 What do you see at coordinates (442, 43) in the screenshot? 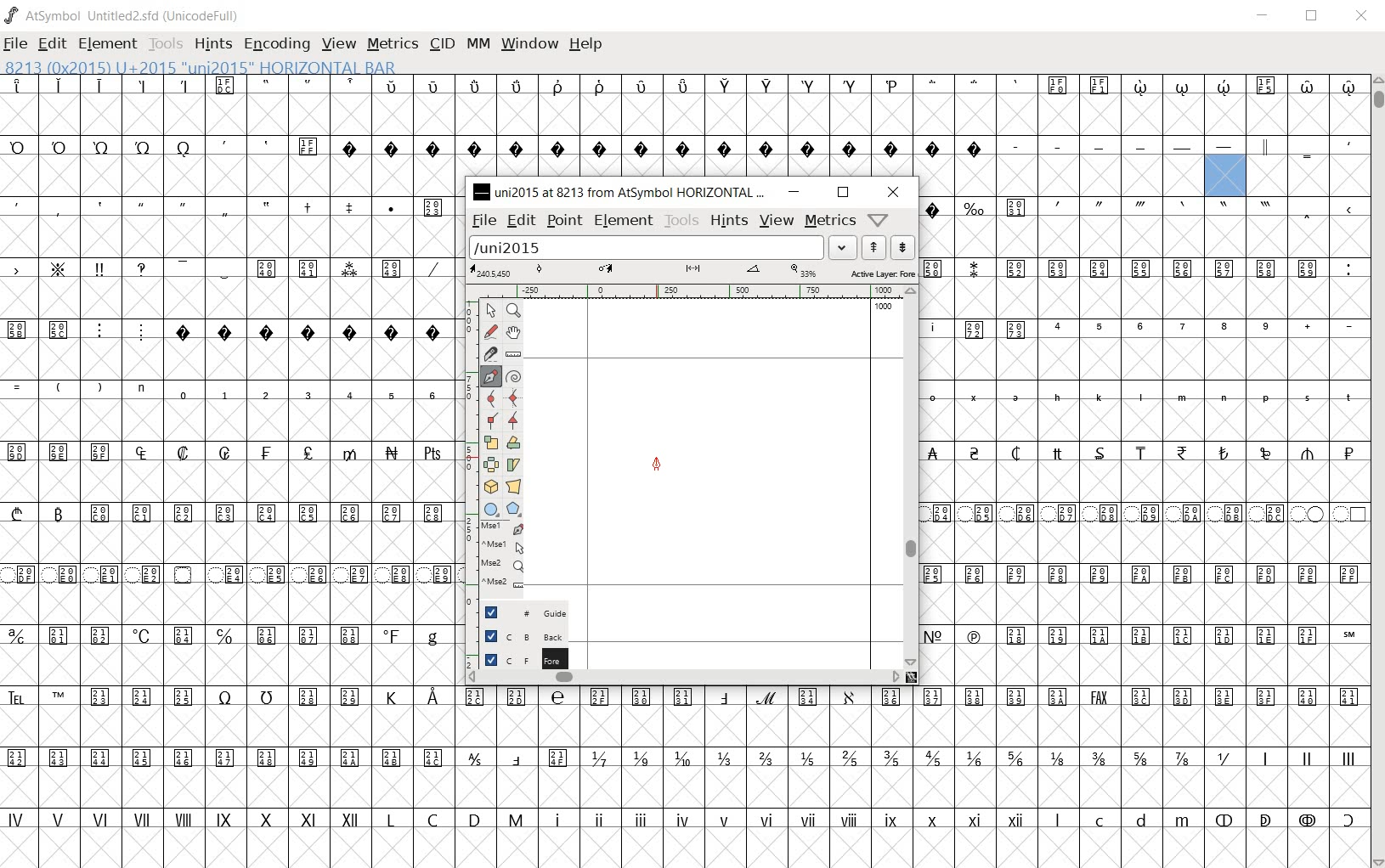
I see `CID` at bounding box center [442, 43].